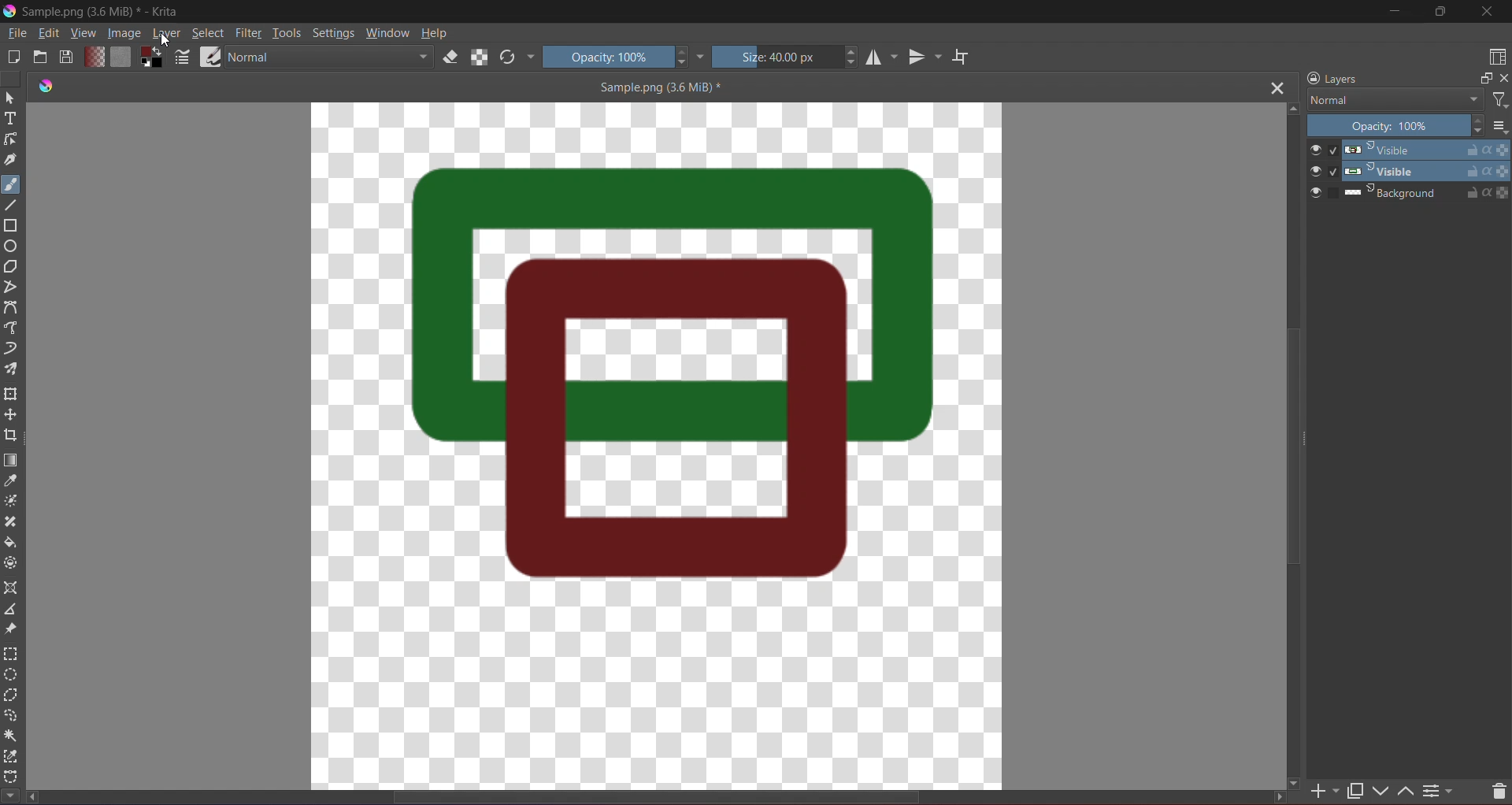 This screenshot has height=805, width=1512. What do you see at coordinates (13, 228) in the screenshot?
I see `Rectangle` at bounding box center [13, 228].